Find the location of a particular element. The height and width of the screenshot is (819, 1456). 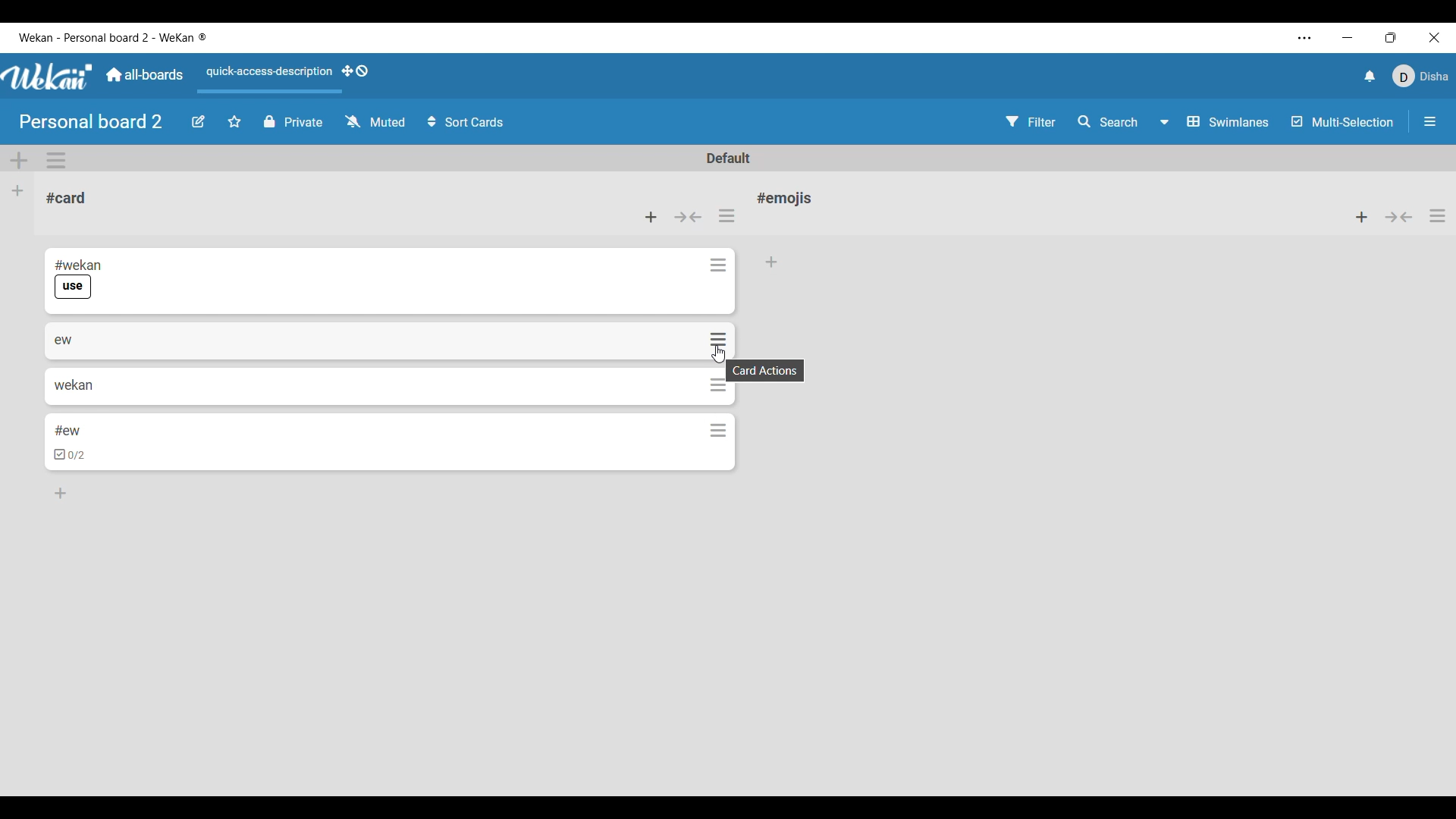

List actions is located at coordinates (1437, 216).